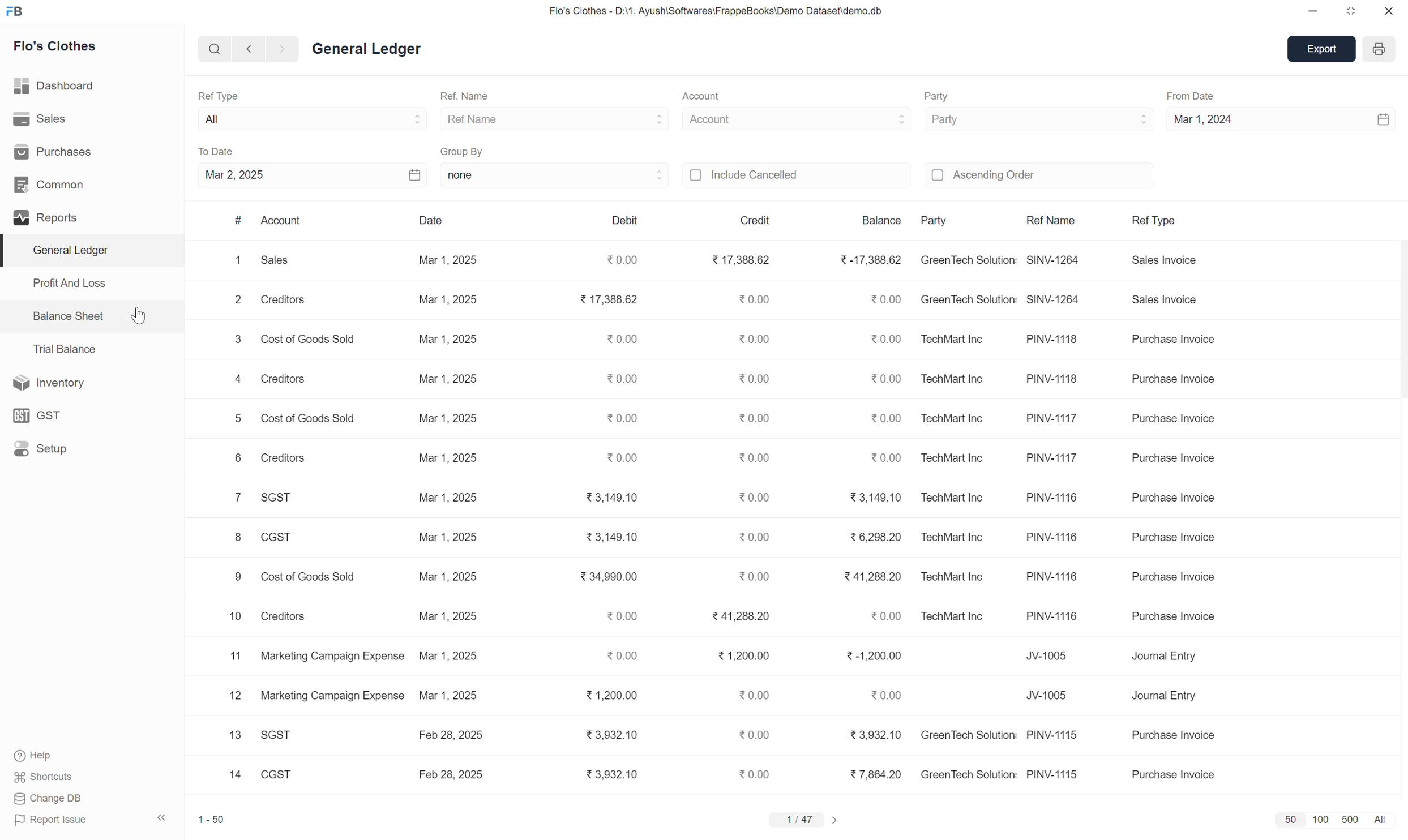  What do you see at coordinates (82, 218) in the screenshot?
I see `Reports` at bounding box center [82, 218].